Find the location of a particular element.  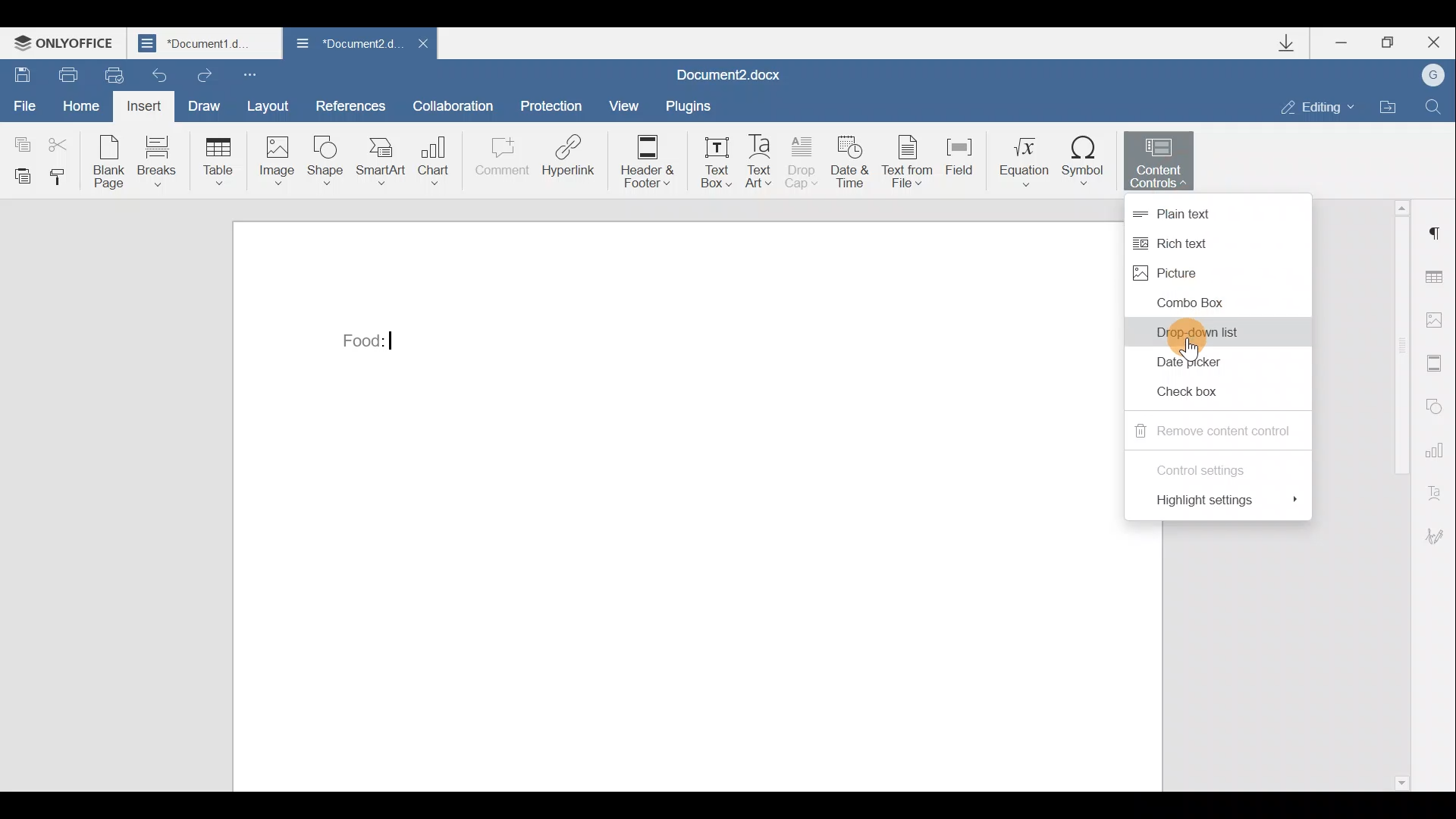

Header & footer is located at coordinates (646, 162).